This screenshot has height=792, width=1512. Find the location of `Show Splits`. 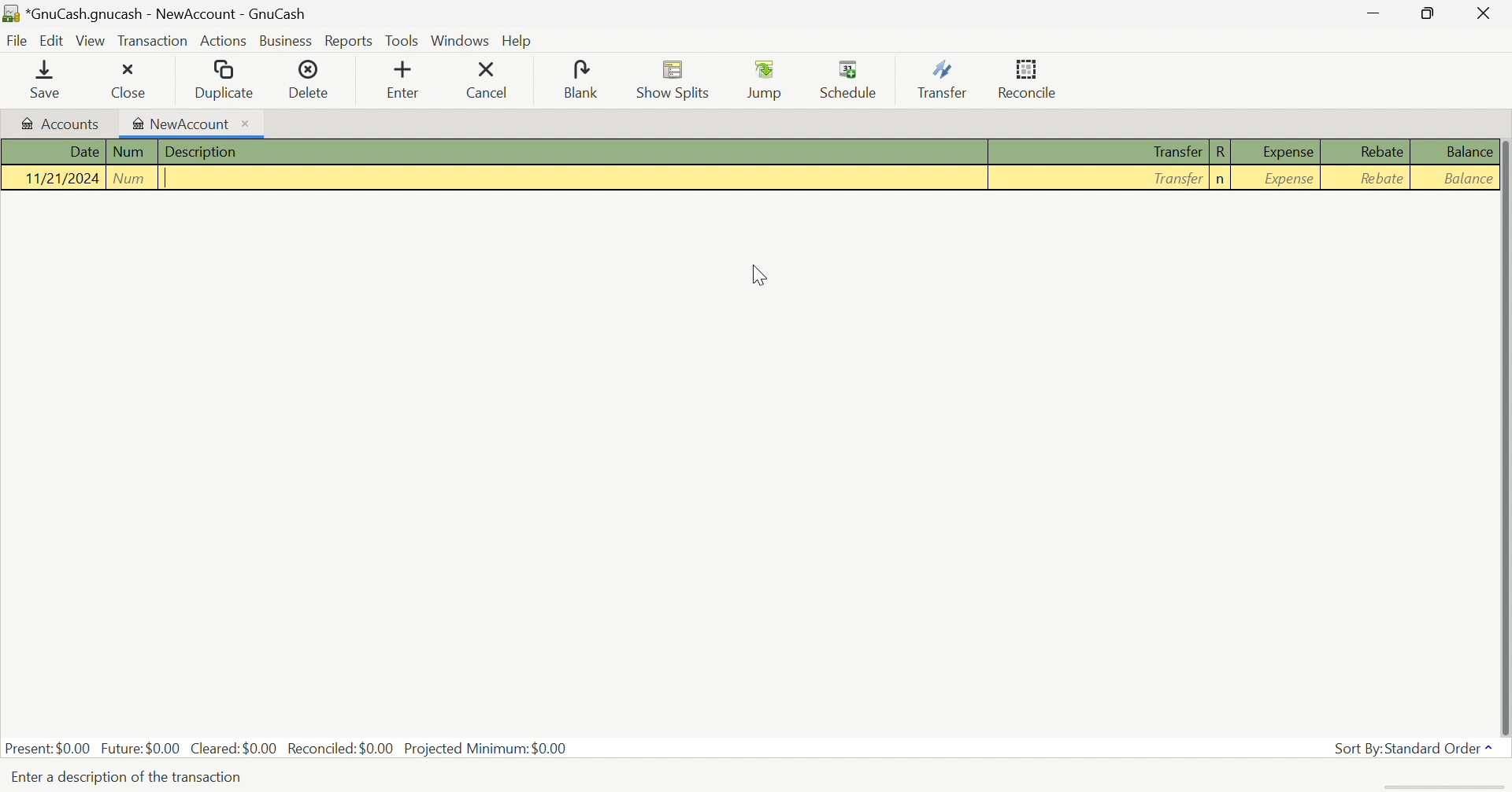

Show Splits is located at coordinates (675, 80).